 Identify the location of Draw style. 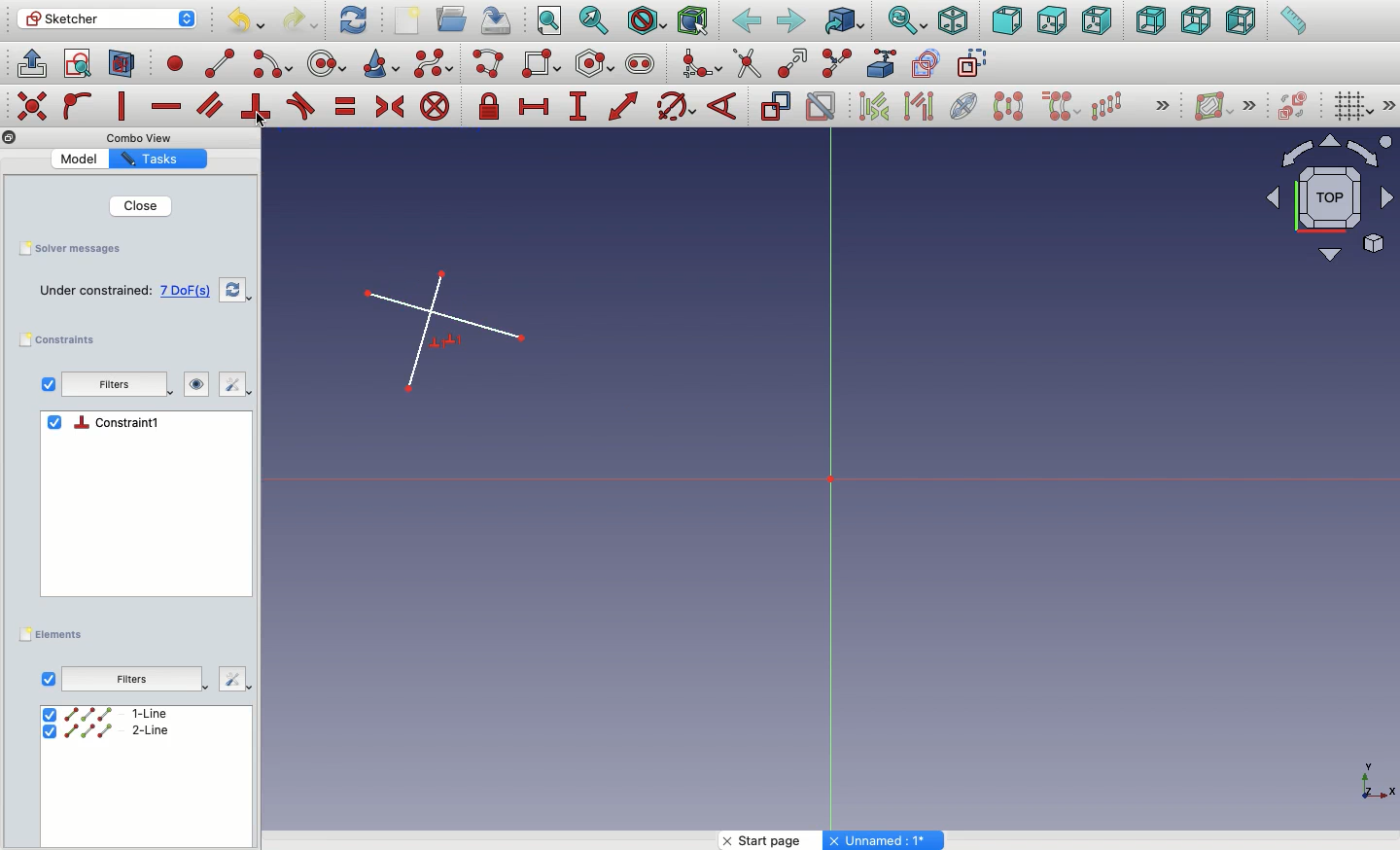
(647, 20).